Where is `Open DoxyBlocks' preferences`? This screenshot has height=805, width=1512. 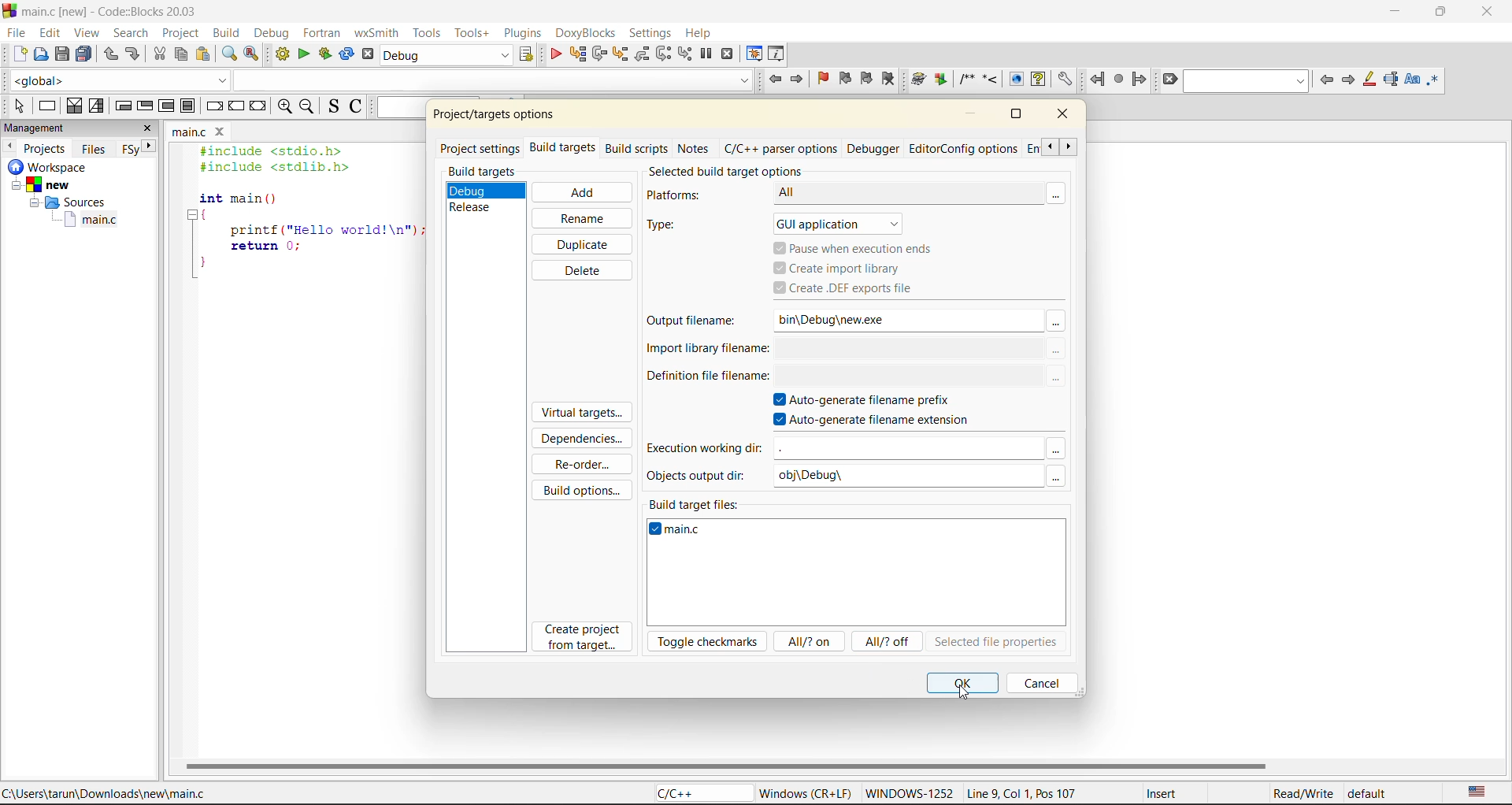 Open DoxyBlocks' preferences is located at coordinates (1064, 80).